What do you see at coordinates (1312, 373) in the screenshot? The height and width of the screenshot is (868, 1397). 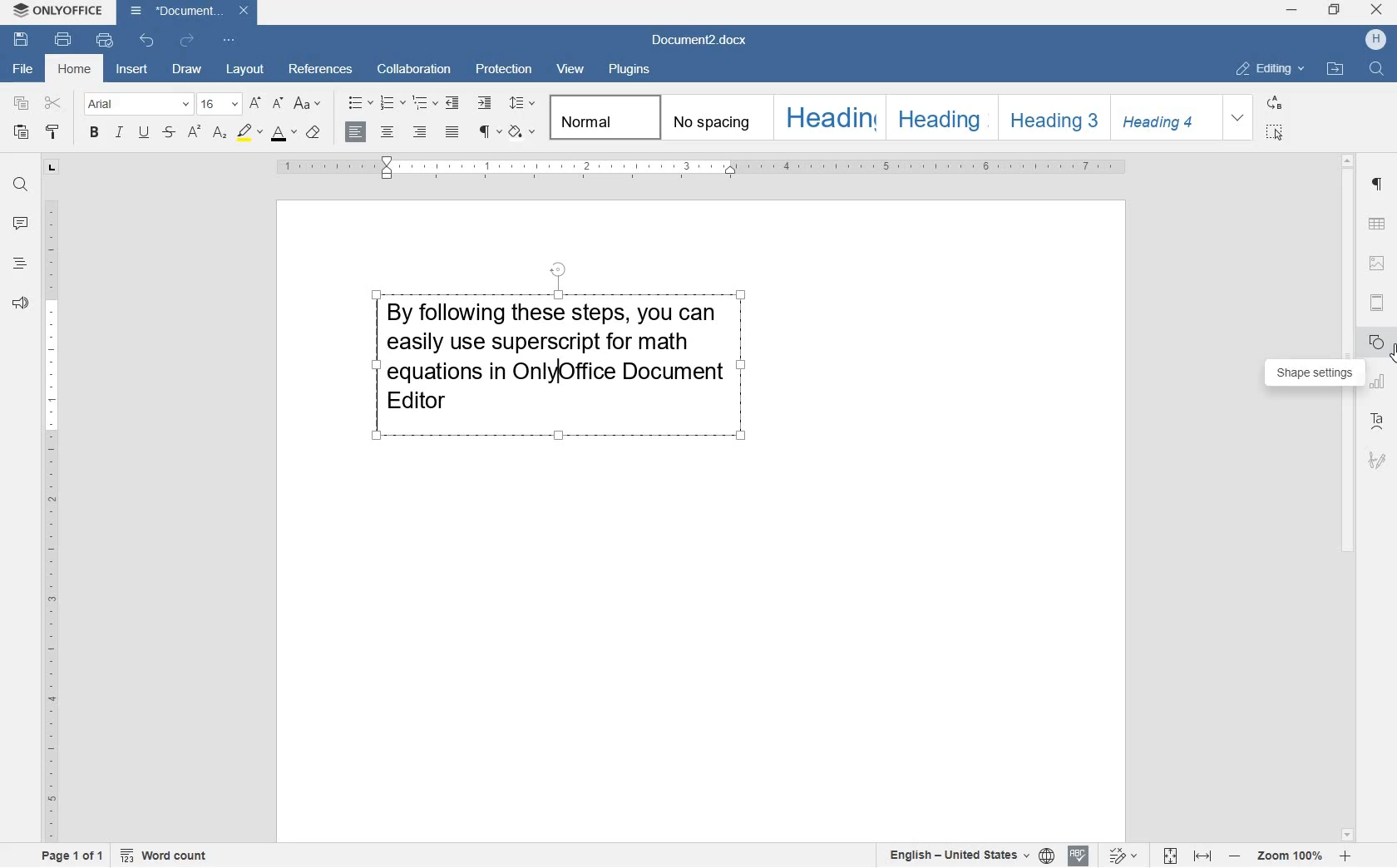 I see `shape settings` at bounding box center [1312, 373].